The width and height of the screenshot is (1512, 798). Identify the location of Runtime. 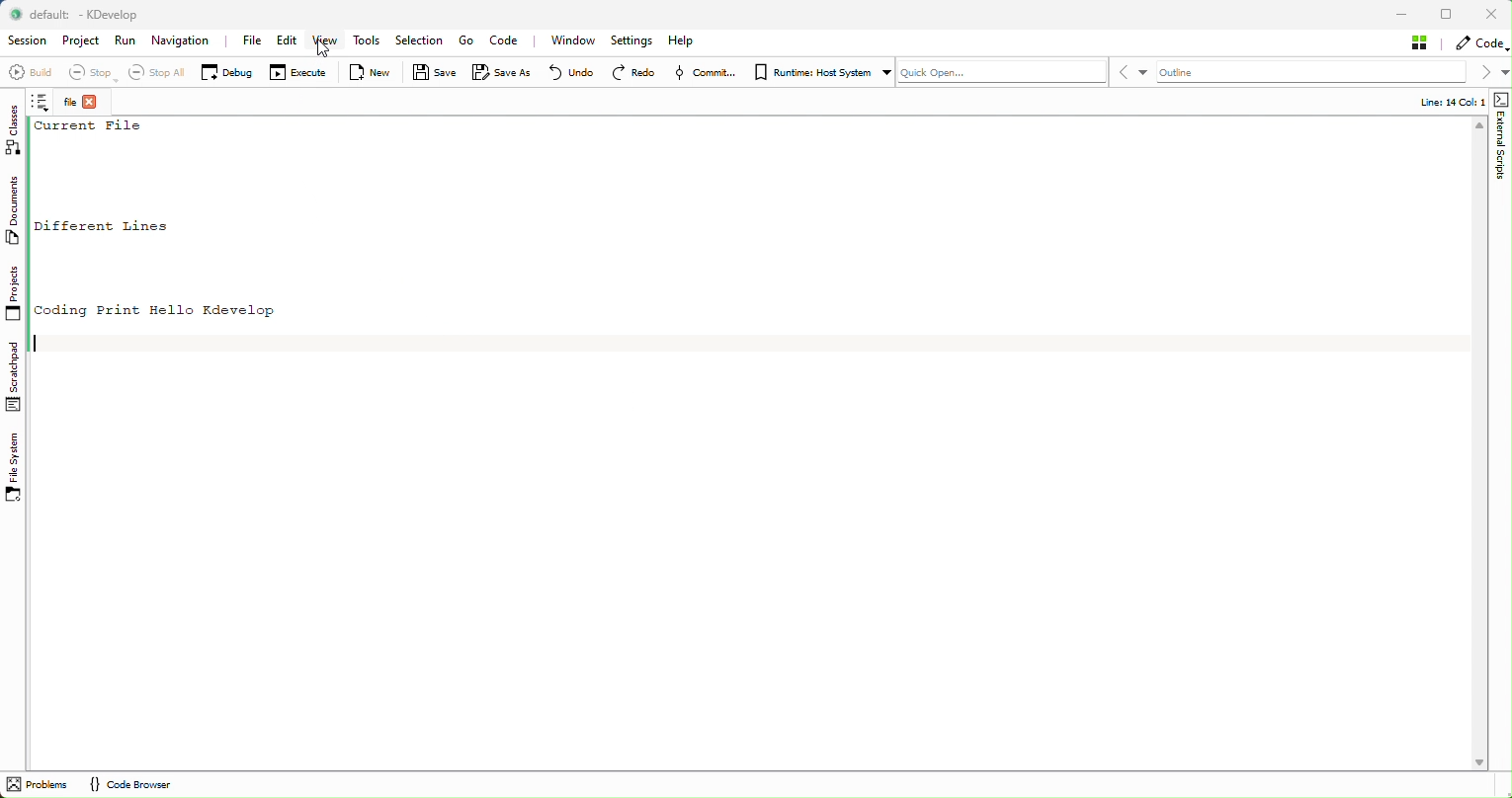
(819, 70).